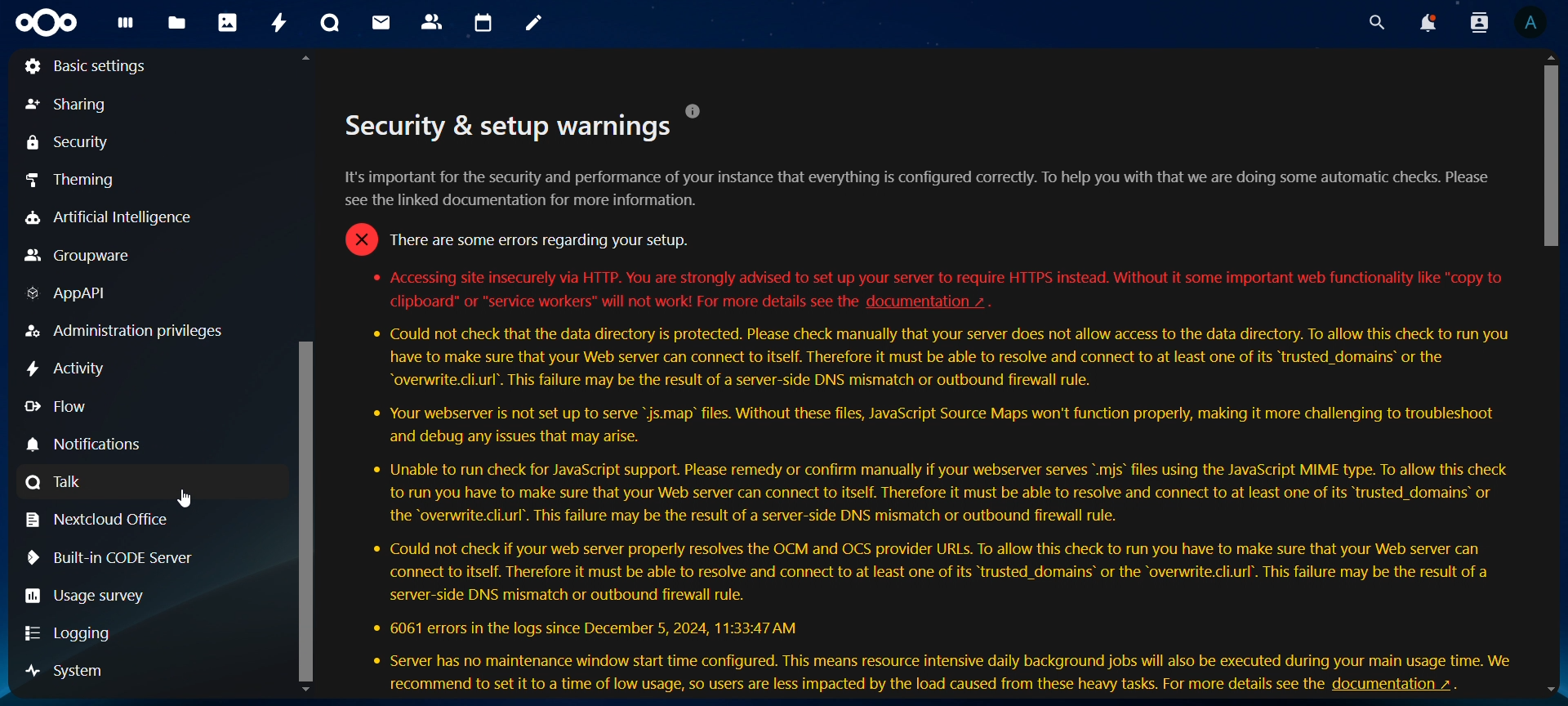 This screenshot has width=1568, height=706. Describe the element at coordinates (1534, 25) in the screenshot. I see `view profile` at that location.